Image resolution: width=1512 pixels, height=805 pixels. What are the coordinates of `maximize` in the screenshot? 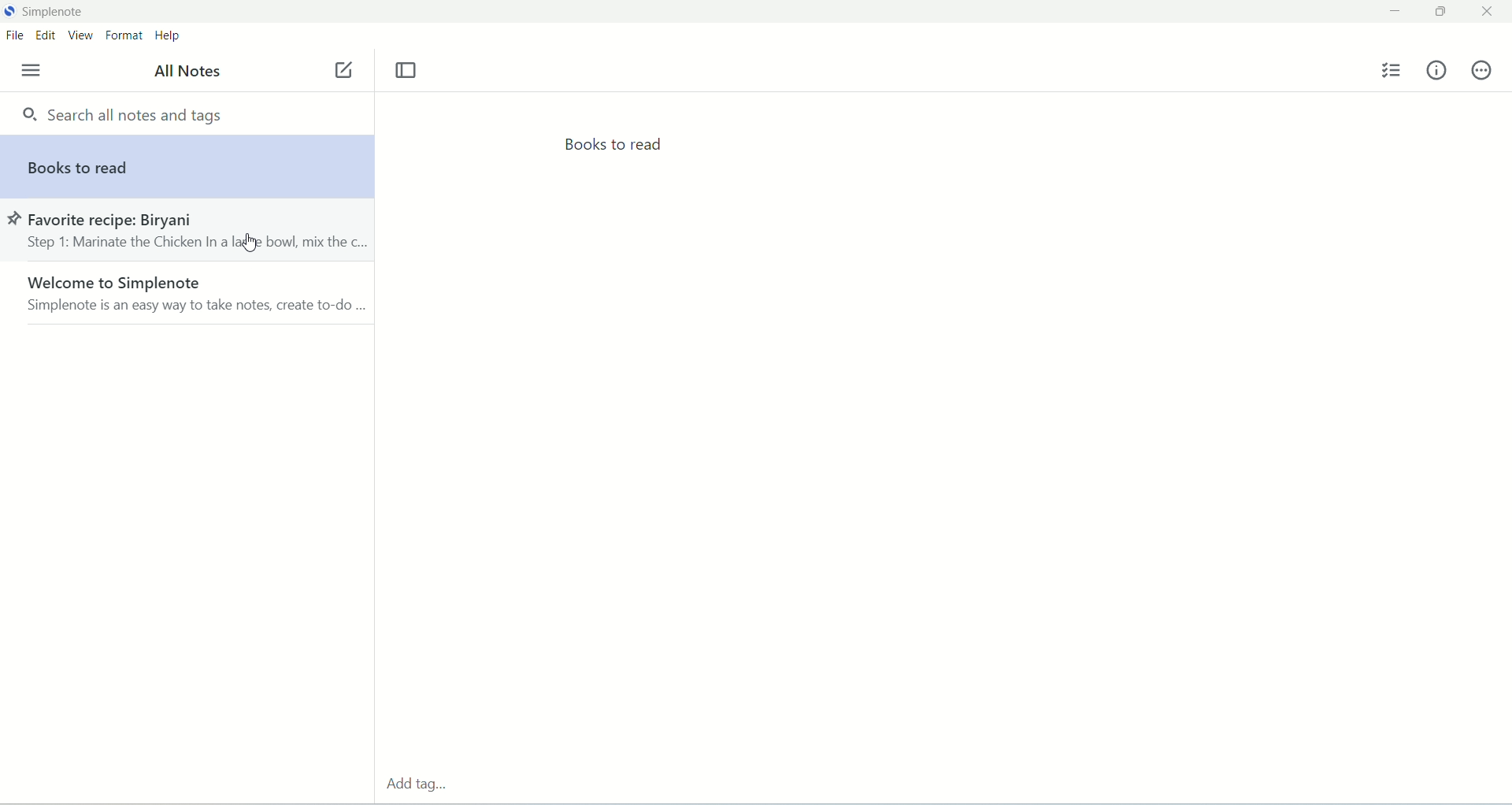 It's located at (1443, 13).